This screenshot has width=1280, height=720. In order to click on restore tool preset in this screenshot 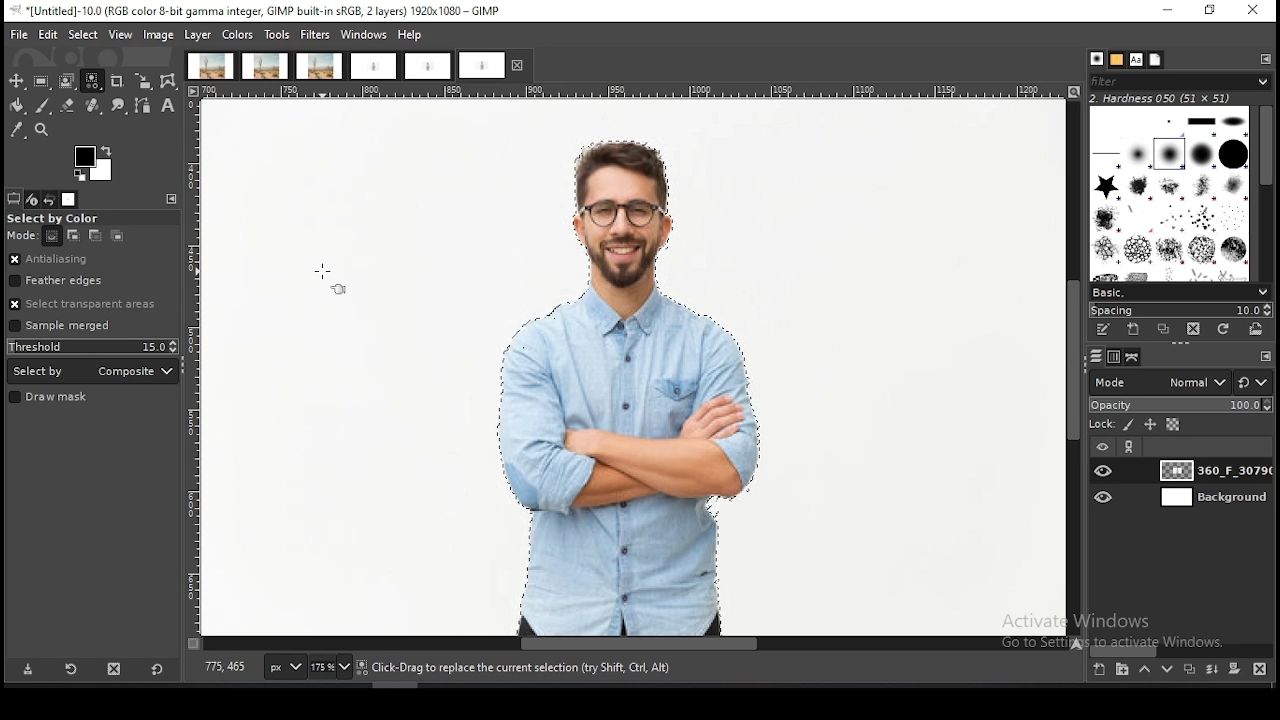, I will do `click(73, 668)`.